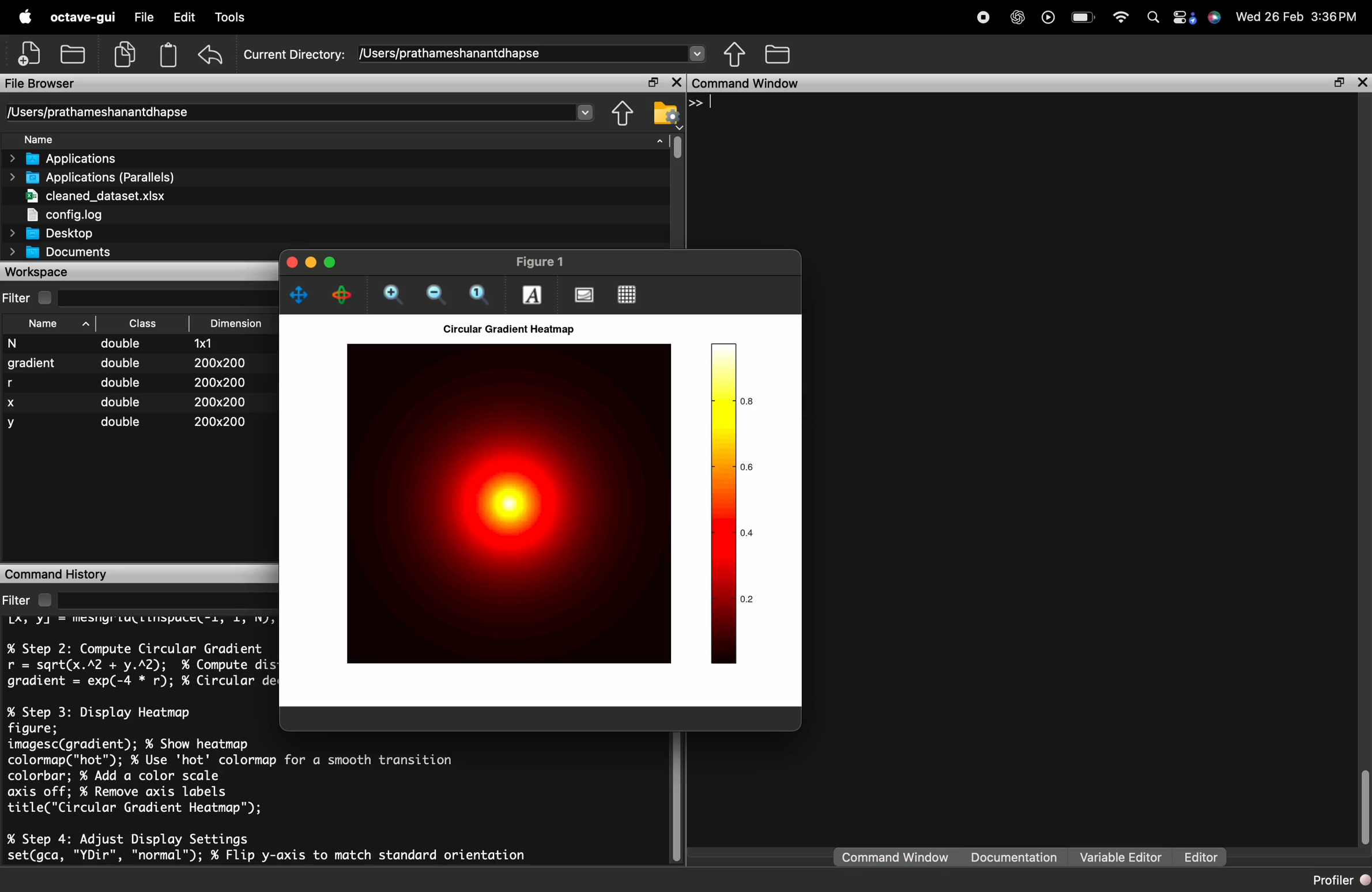 The height and width of the screenshot is (892, 1372). I want to click on 200x200, so click(216, 381).